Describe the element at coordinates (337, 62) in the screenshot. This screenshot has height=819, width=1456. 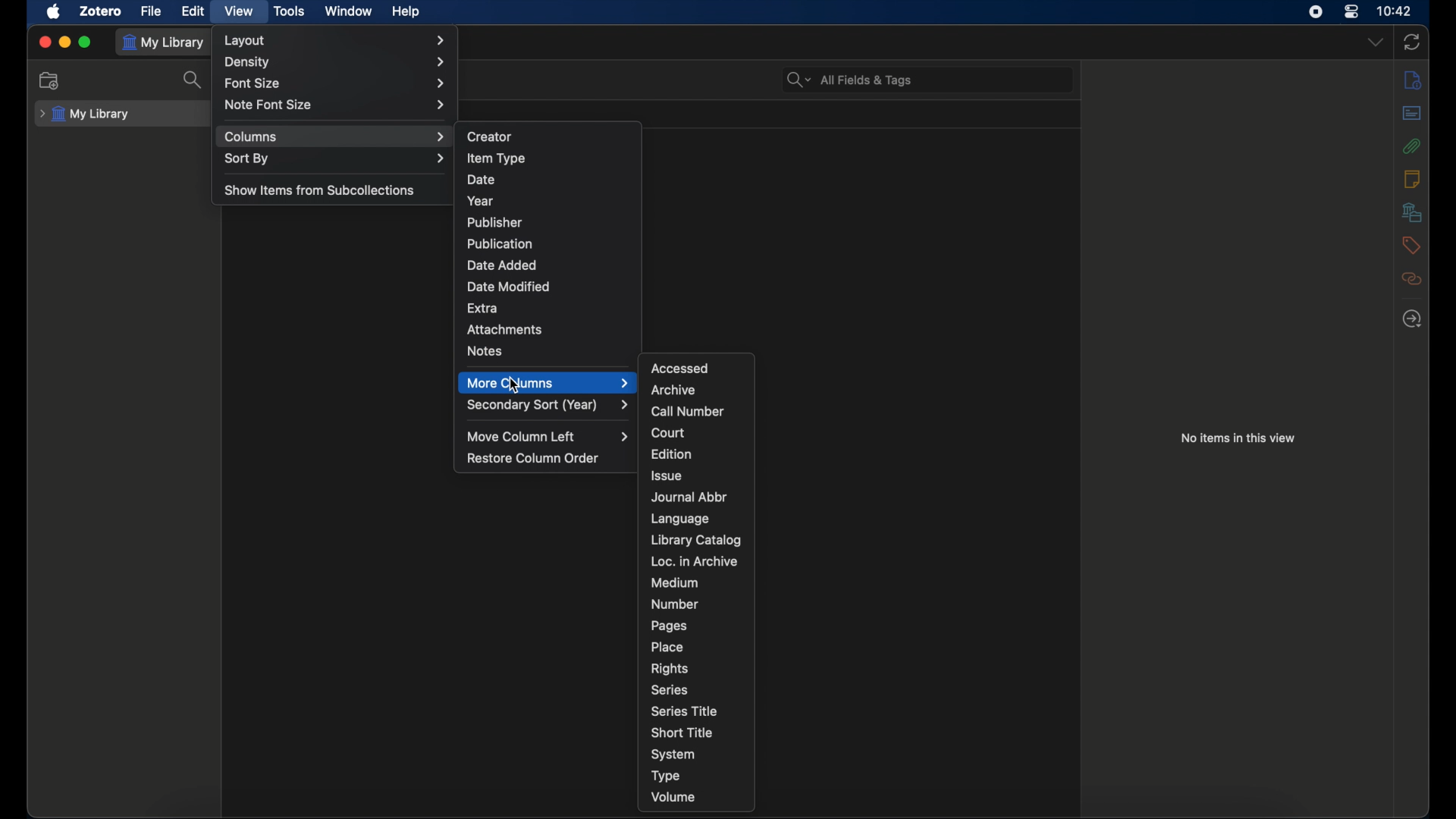
I see `density` at that location.